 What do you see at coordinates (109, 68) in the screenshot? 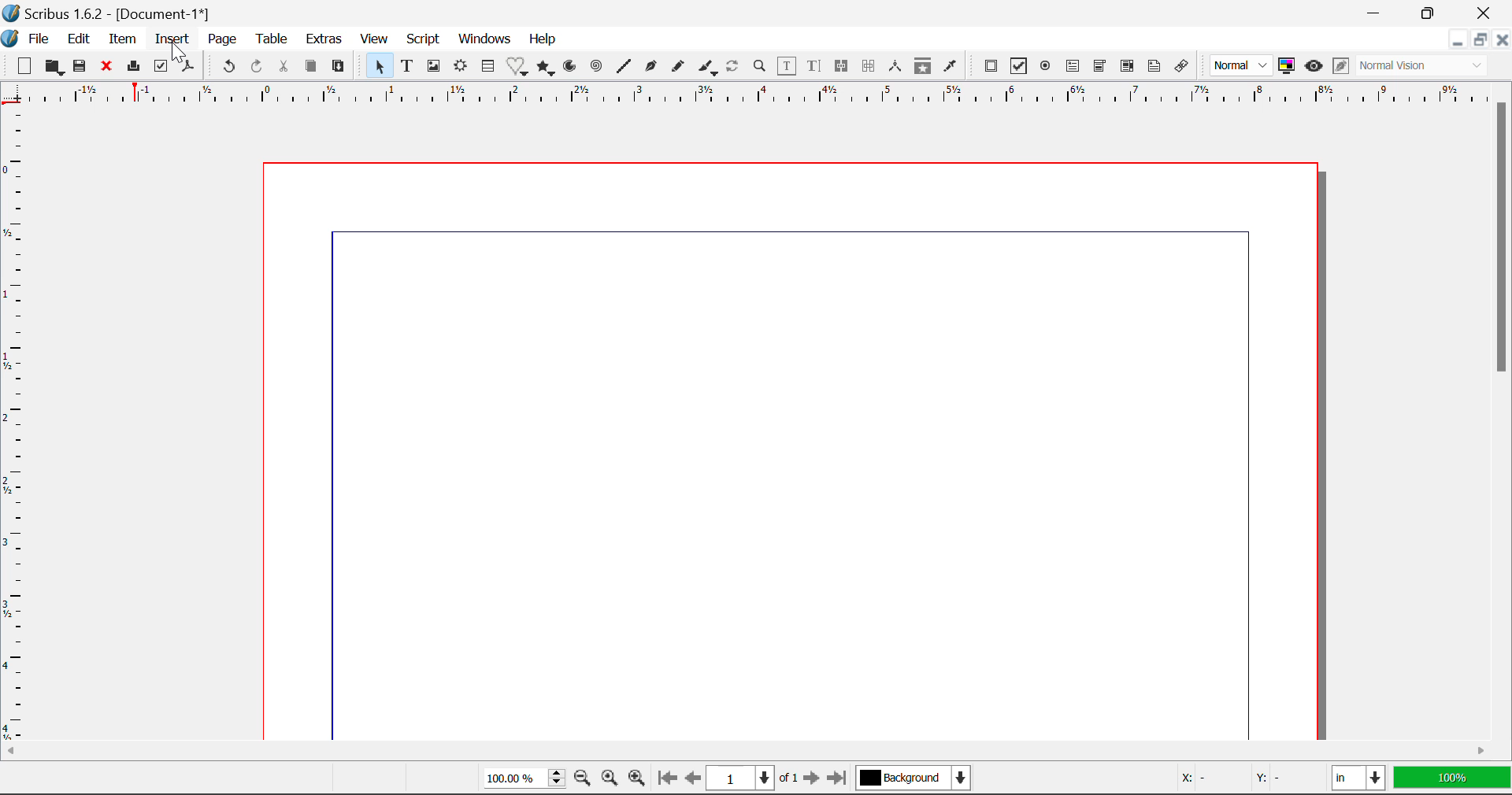
I see `Close` at bounding box center [109, 68].